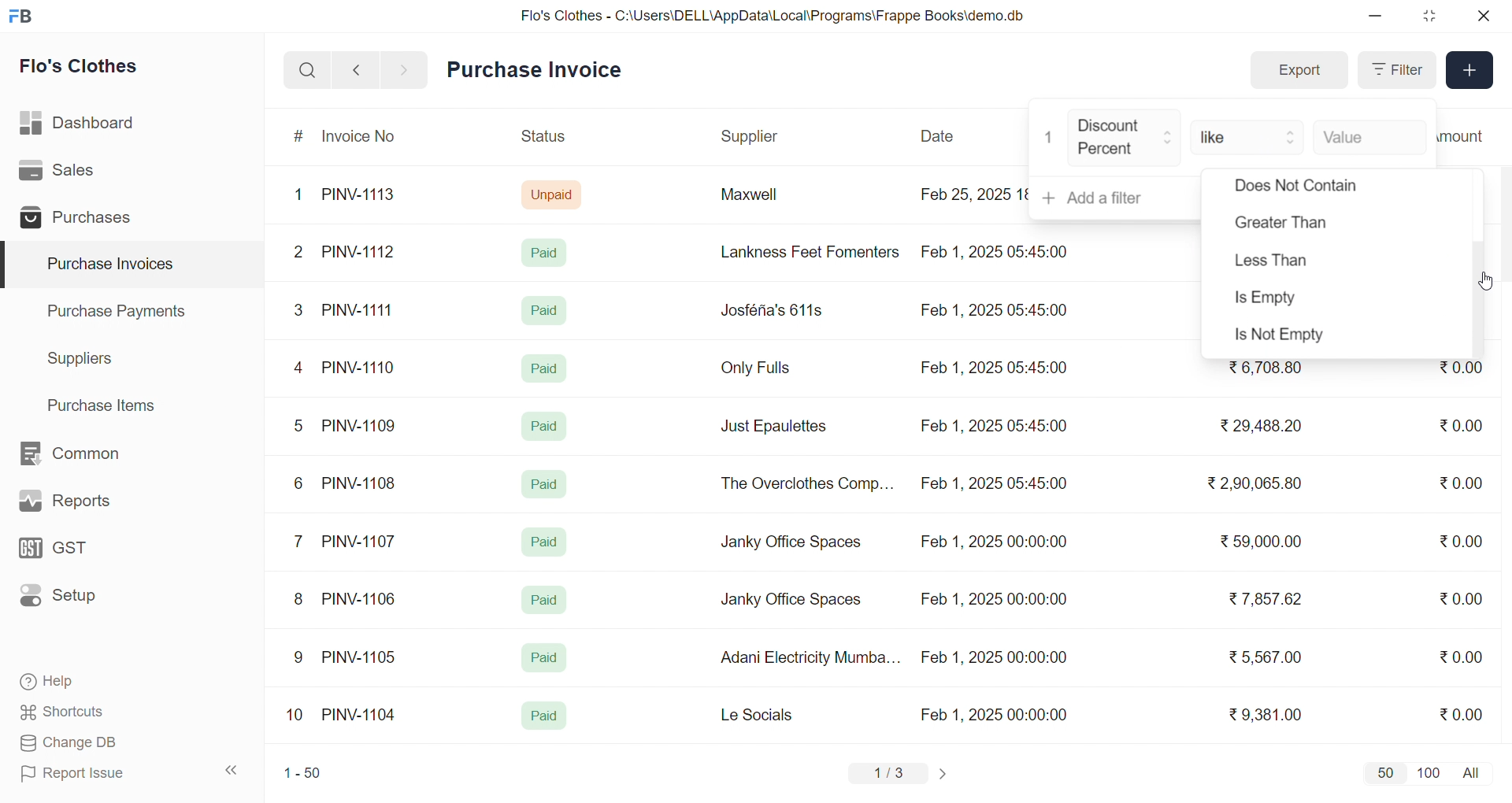  I want to click on Report Issue, so click(98, 773).